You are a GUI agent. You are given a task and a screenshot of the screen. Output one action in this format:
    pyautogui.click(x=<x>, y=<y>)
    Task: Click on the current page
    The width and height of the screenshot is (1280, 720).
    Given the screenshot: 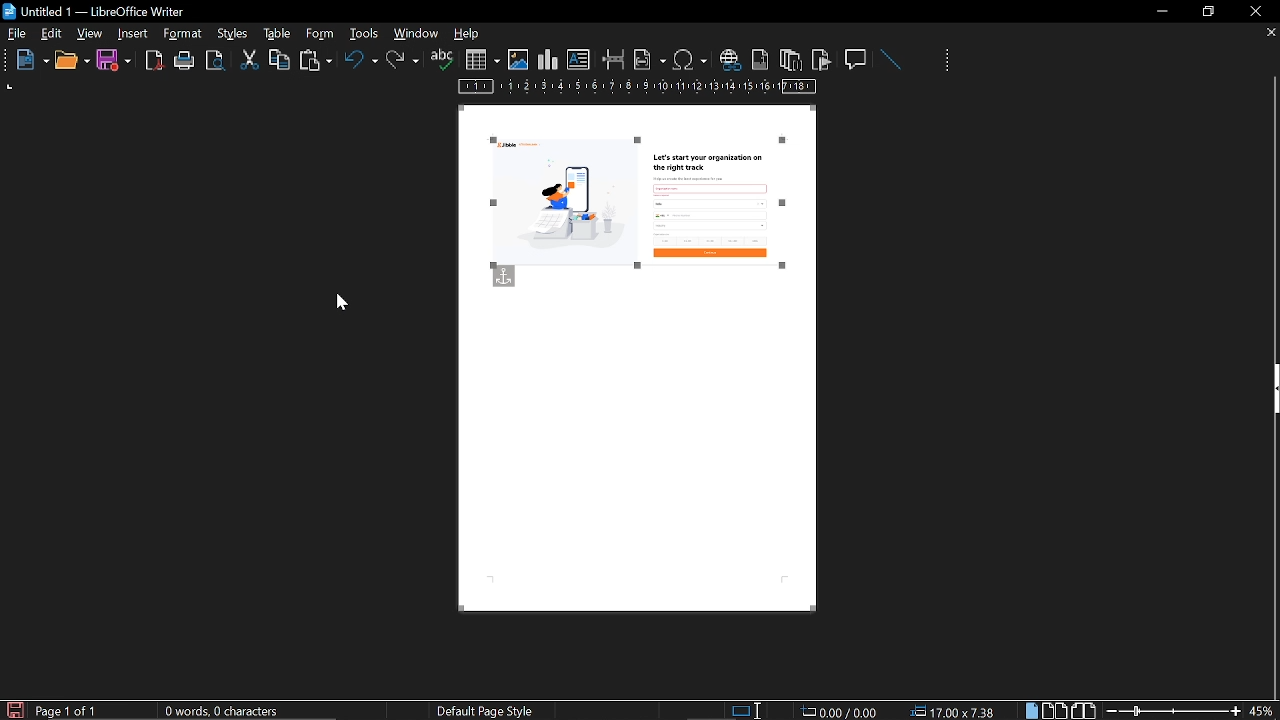 What is the action you would take?
    pyautogui.click(x=67, y=711)
    